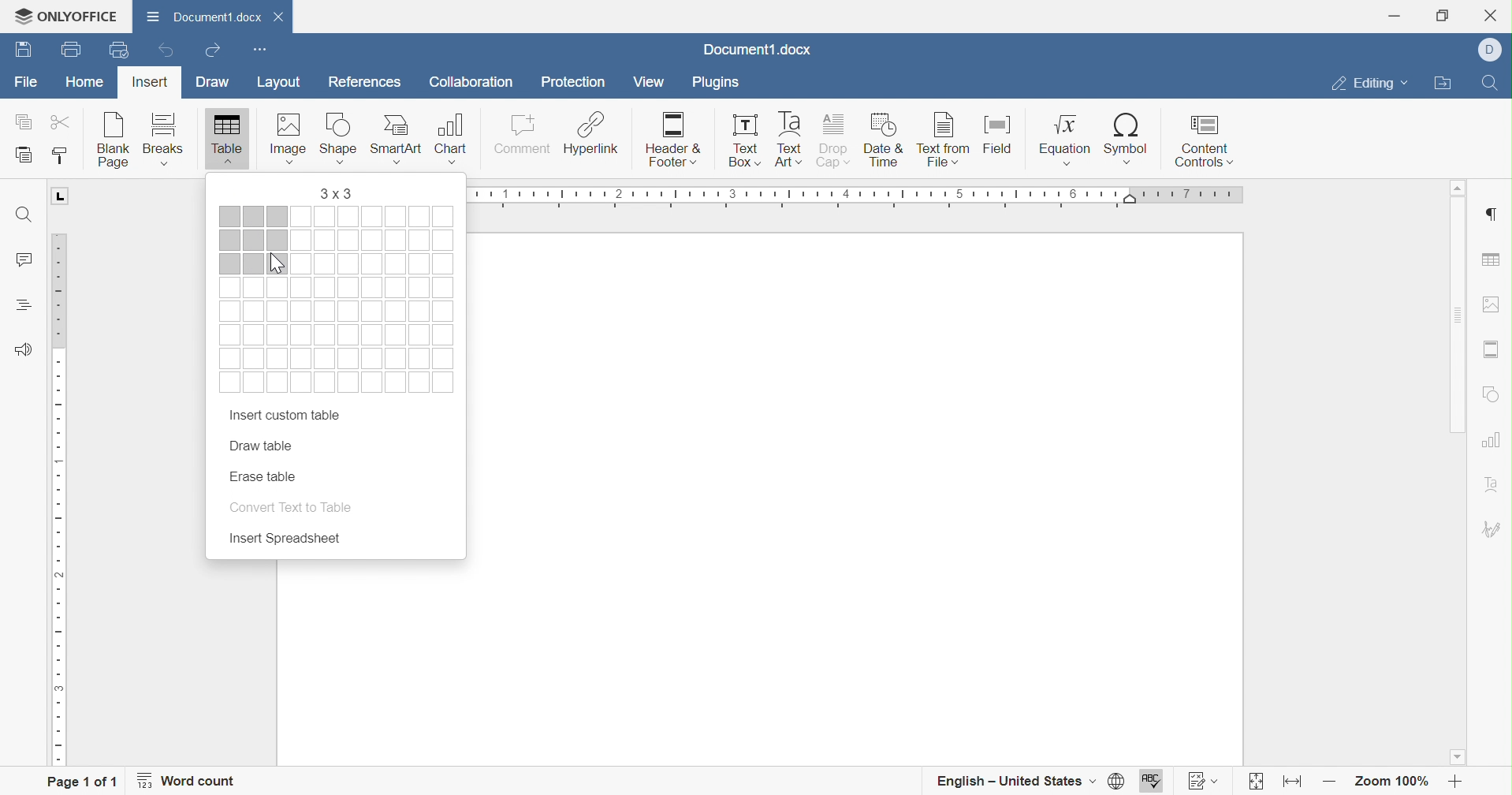 This screenshot has height=795, width=1512. I want to click on Document1.docx, so click(207, 17).